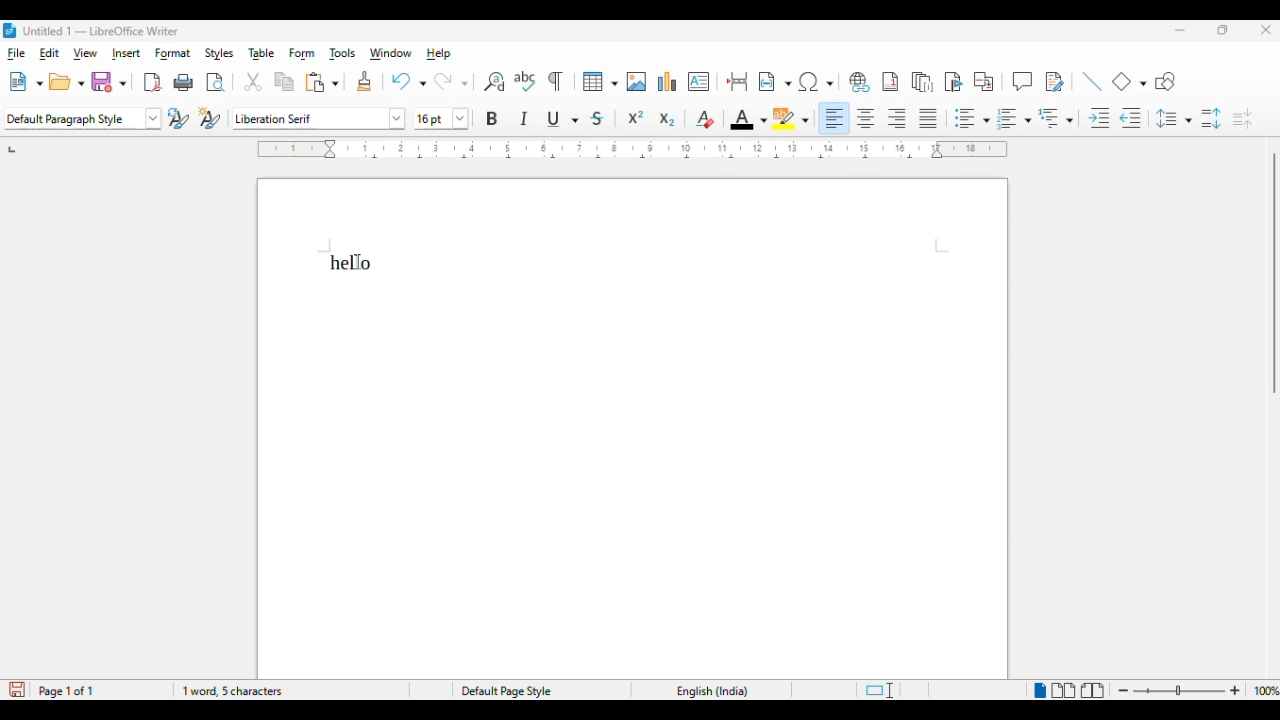  I want to click on word and character count, so click(231, 691).